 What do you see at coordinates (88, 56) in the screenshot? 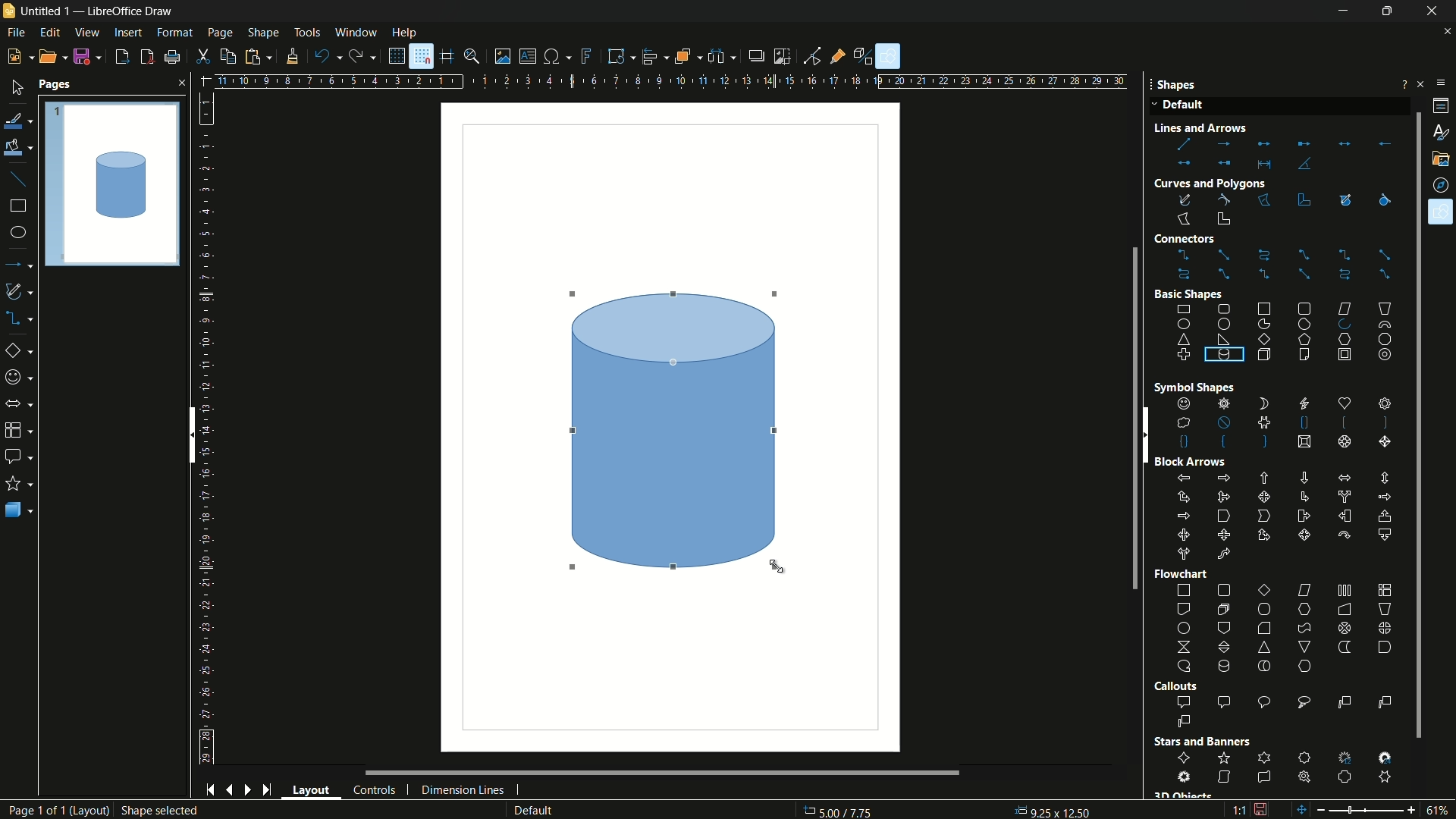
I see `save file` at bounding box center [88, 56].